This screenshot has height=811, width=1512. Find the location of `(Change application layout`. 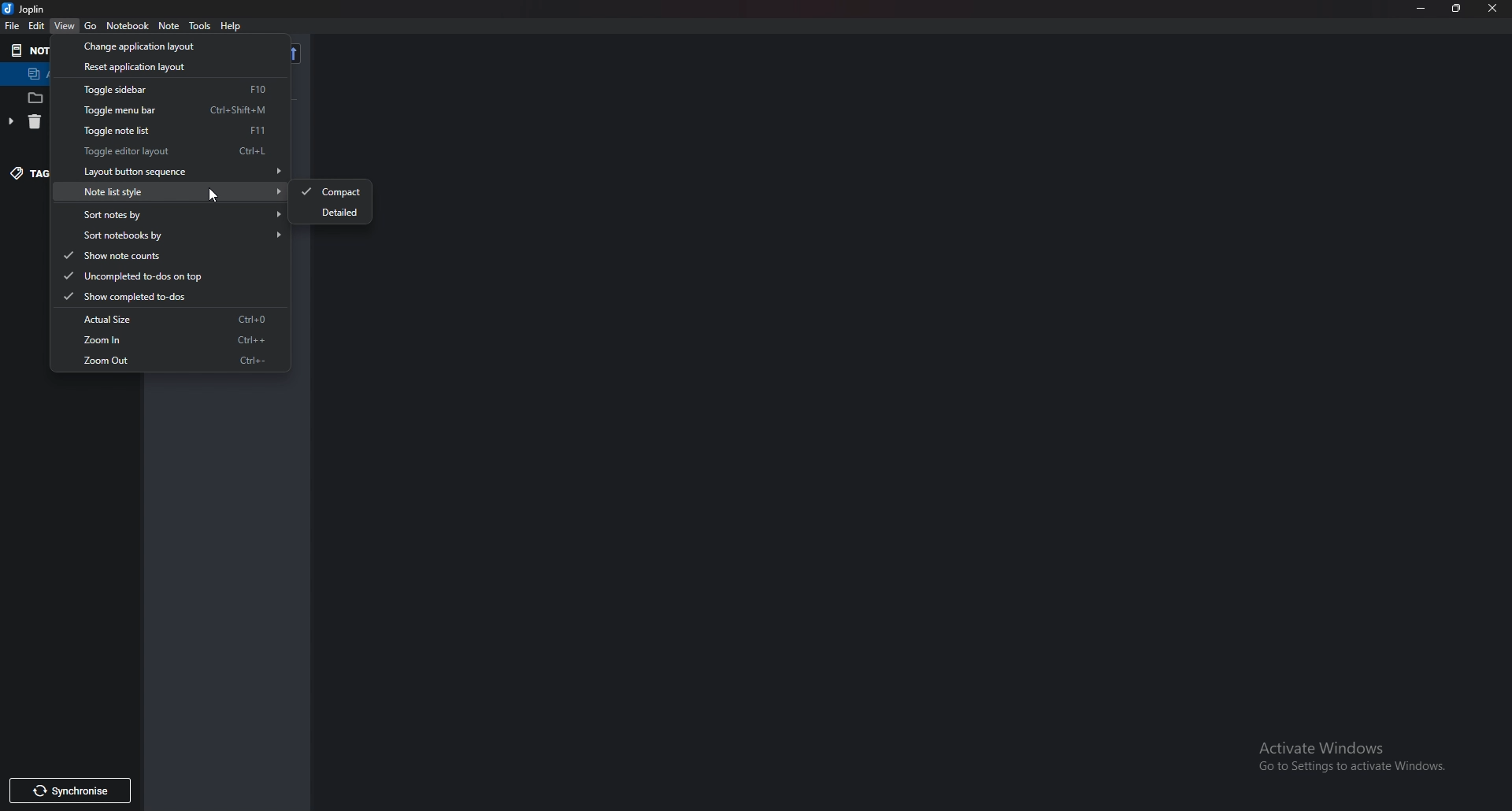

(Change application layout is located at coordinates (150, 46).